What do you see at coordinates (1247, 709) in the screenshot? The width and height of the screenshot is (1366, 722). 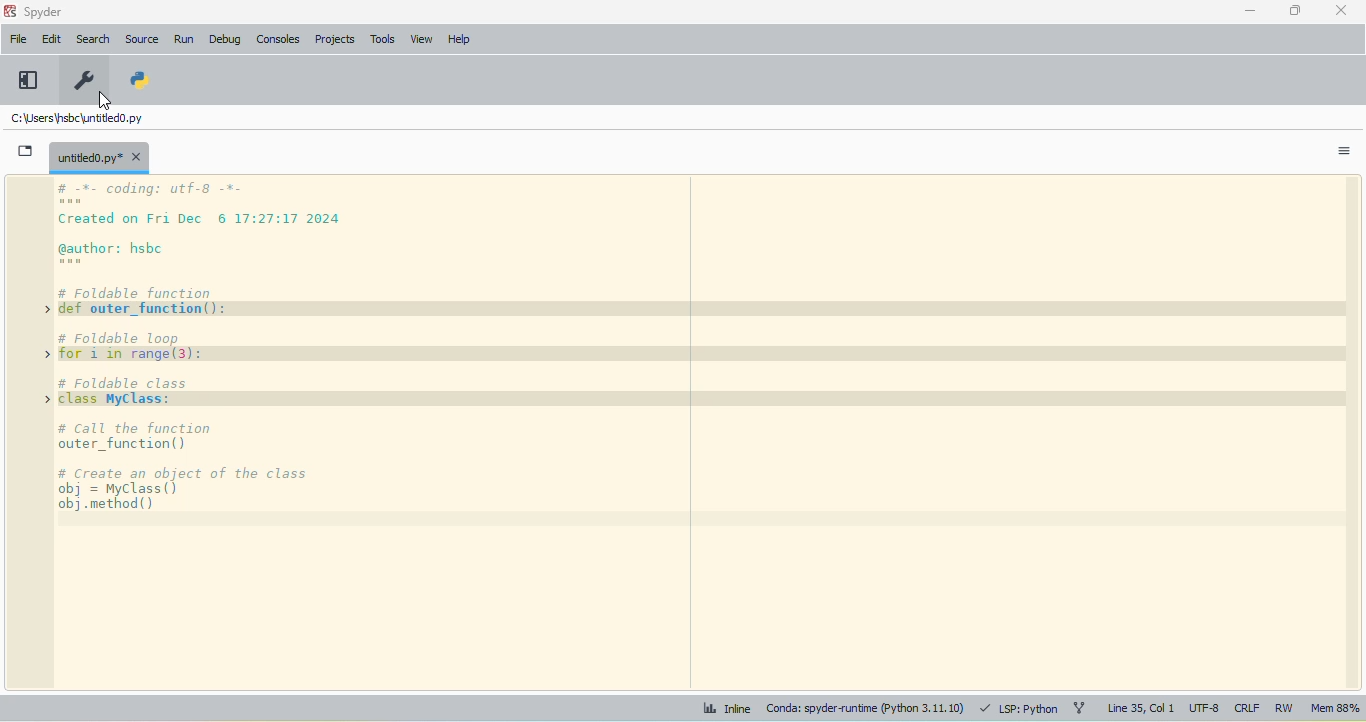 I see `CRLF` at bounding box center [1247, 709].